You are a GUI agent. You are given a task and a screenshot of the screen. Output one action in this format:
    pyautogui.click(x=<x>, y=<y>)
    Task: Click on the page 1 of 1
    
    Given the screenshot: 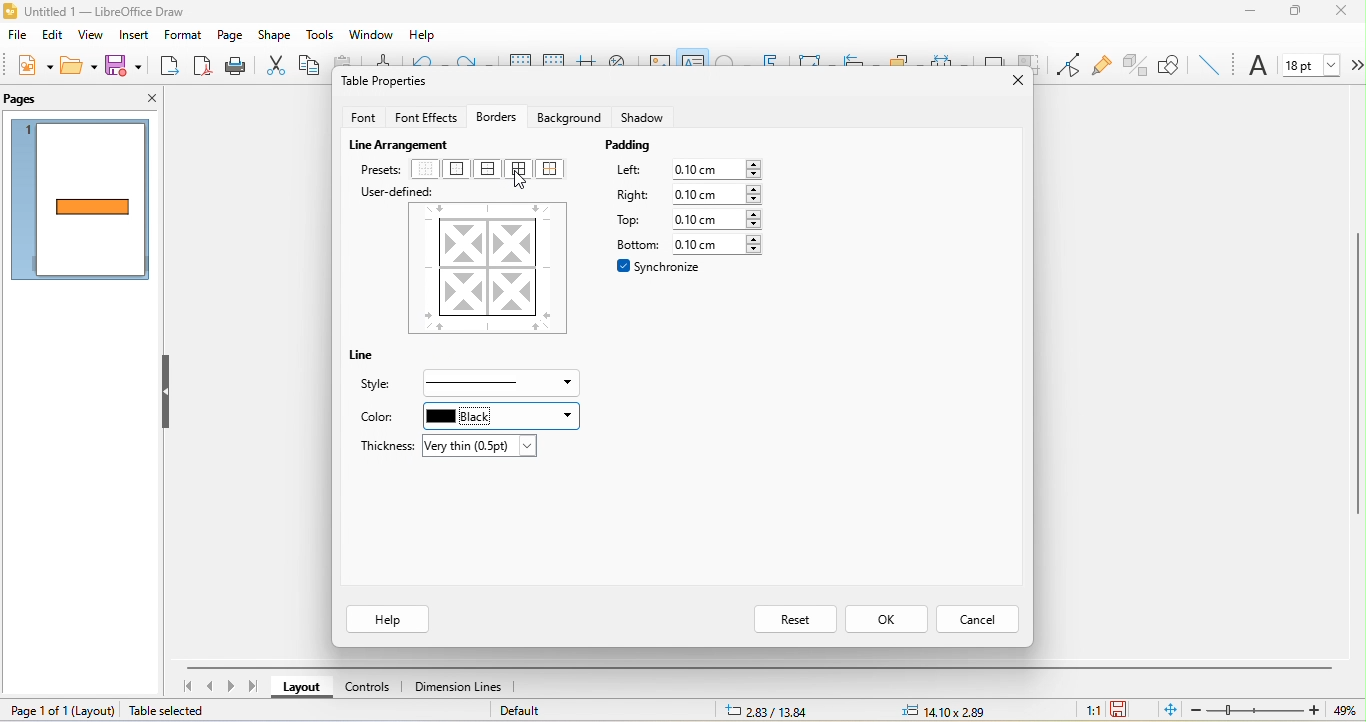 What is the action you would take?
    pyautogui.click(x=35, y=709)
    